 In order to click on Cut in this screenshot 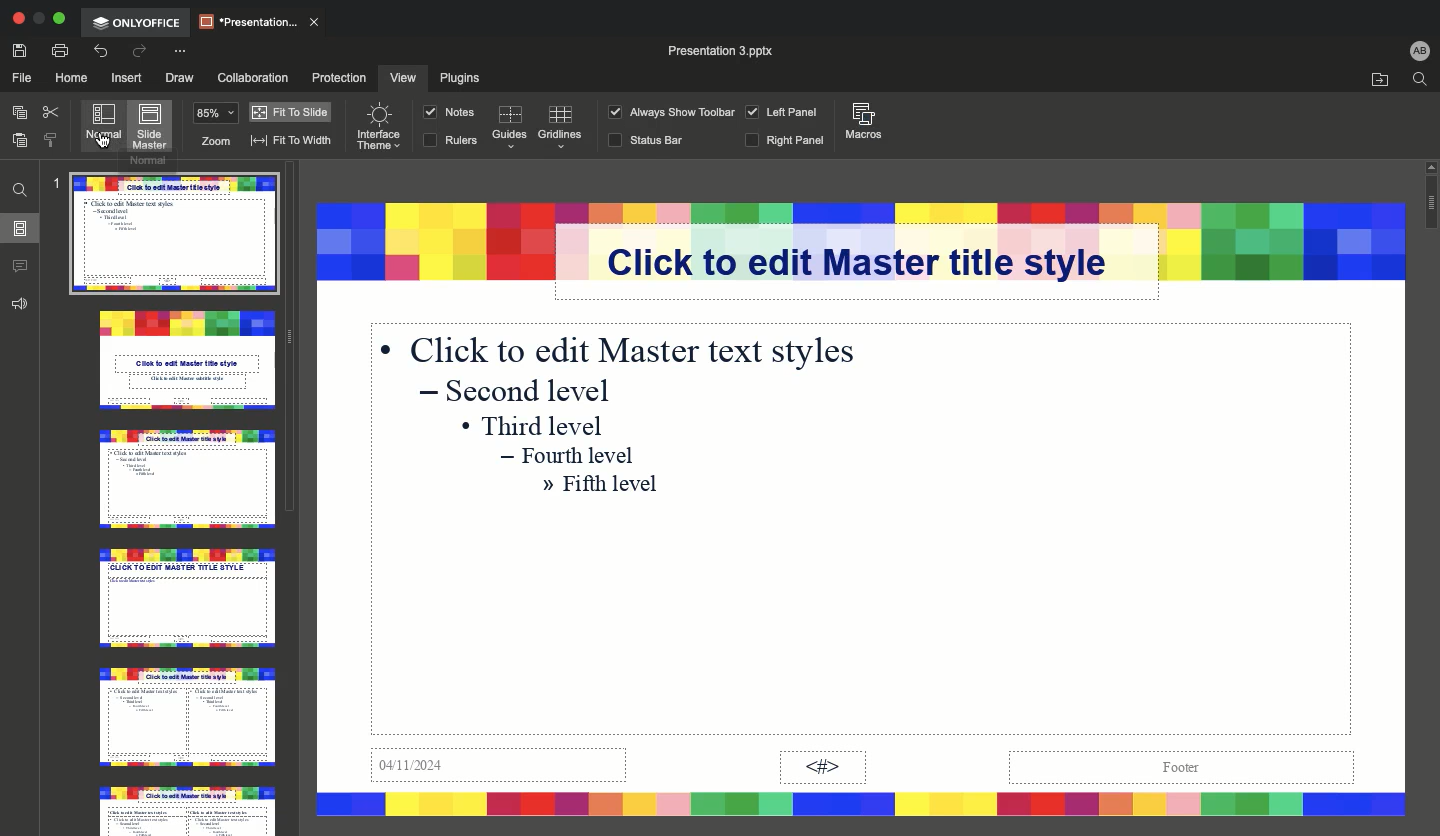, I will do `click(53, 114)`.